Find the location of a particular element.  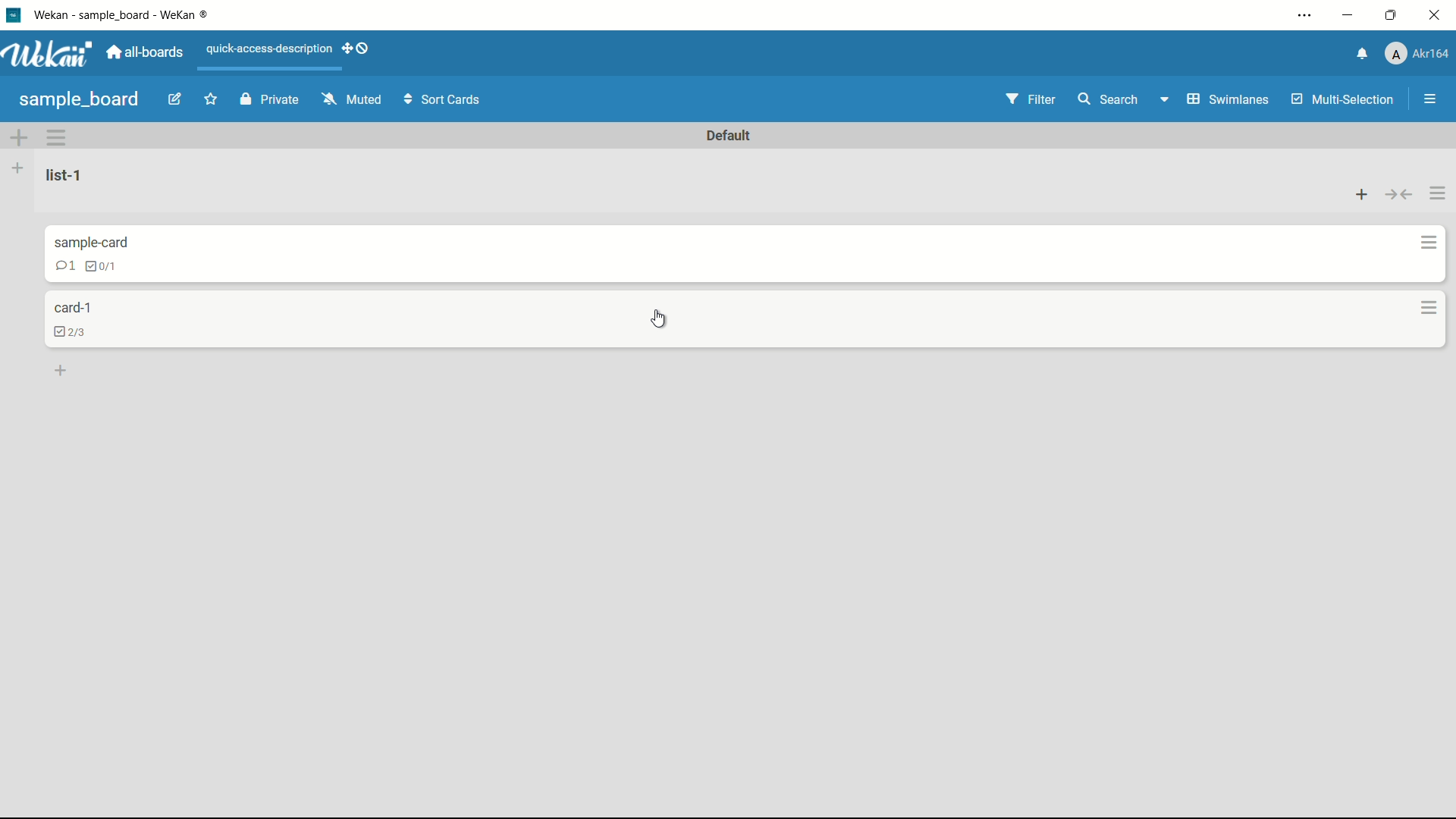

add card is located at coordinates (61, 371).